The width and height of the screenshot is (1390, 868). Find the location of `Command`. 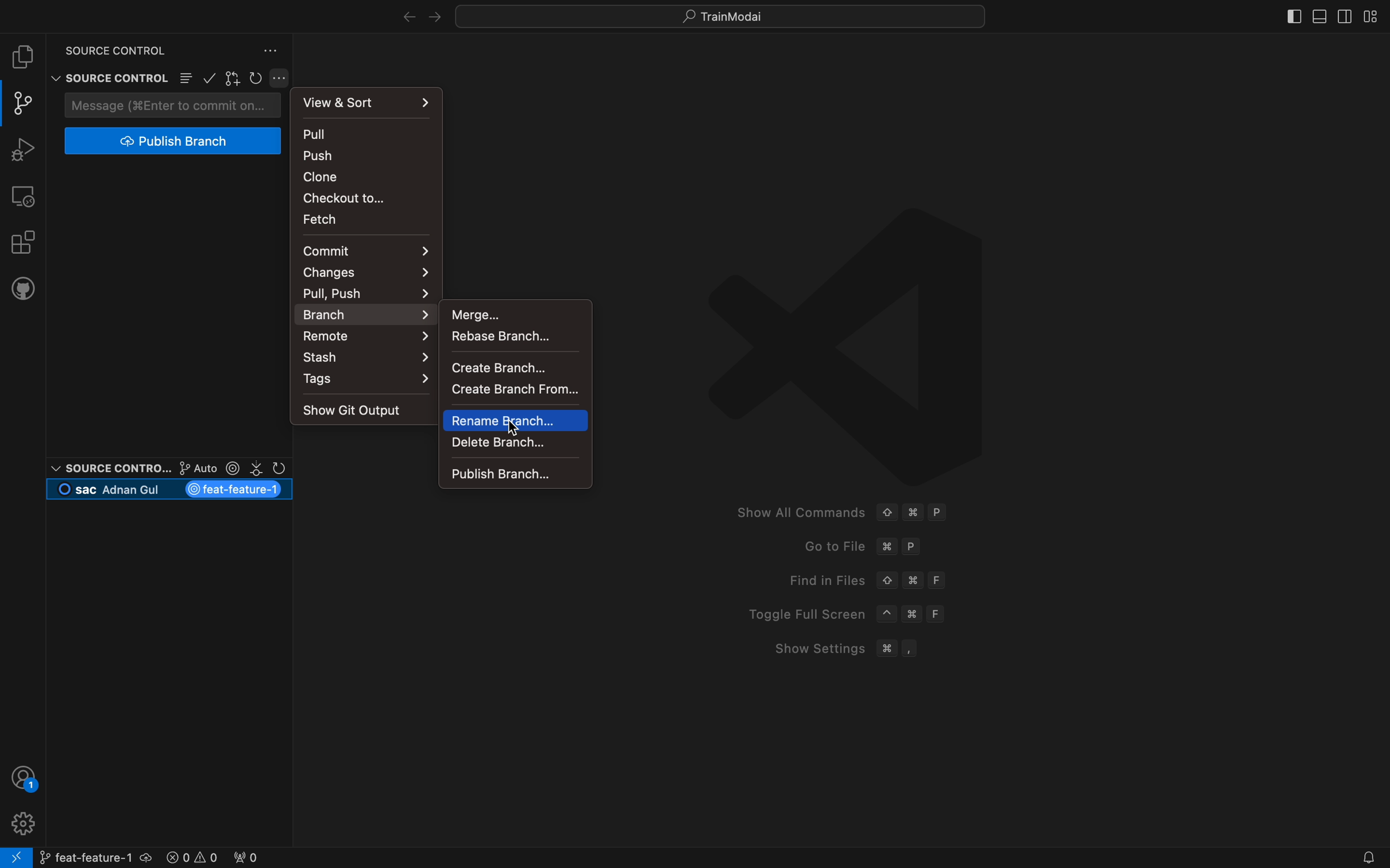

Command is located at coordinates (913, 580).